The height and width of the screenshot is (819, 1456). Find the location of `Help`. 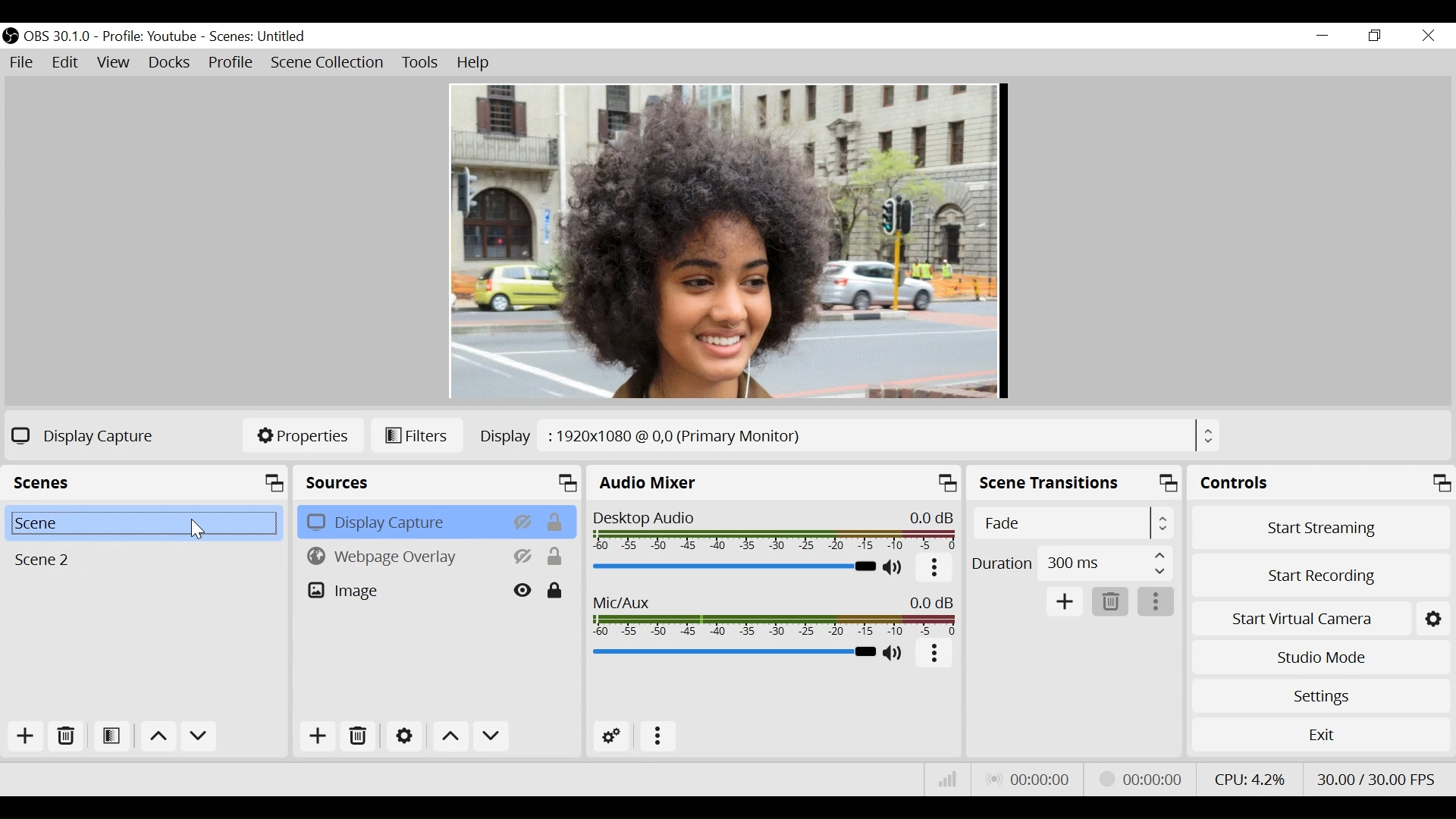

Help is located at coordinates (475, 64).